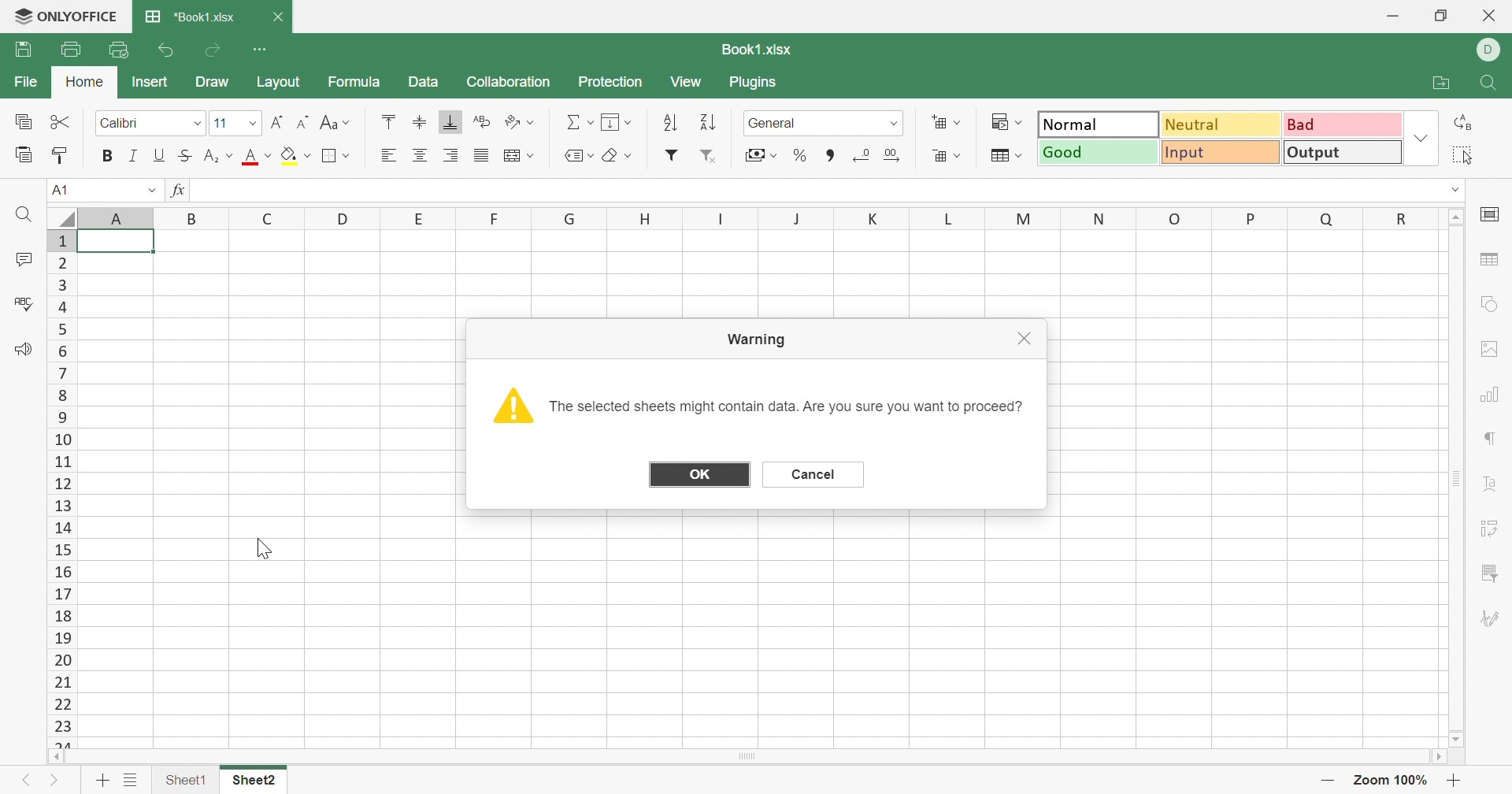 This screenshot has height=794, width=1512. Describe the element at coordinates (1002, 158) in the screenshot. I see `Format as table template` at that location.